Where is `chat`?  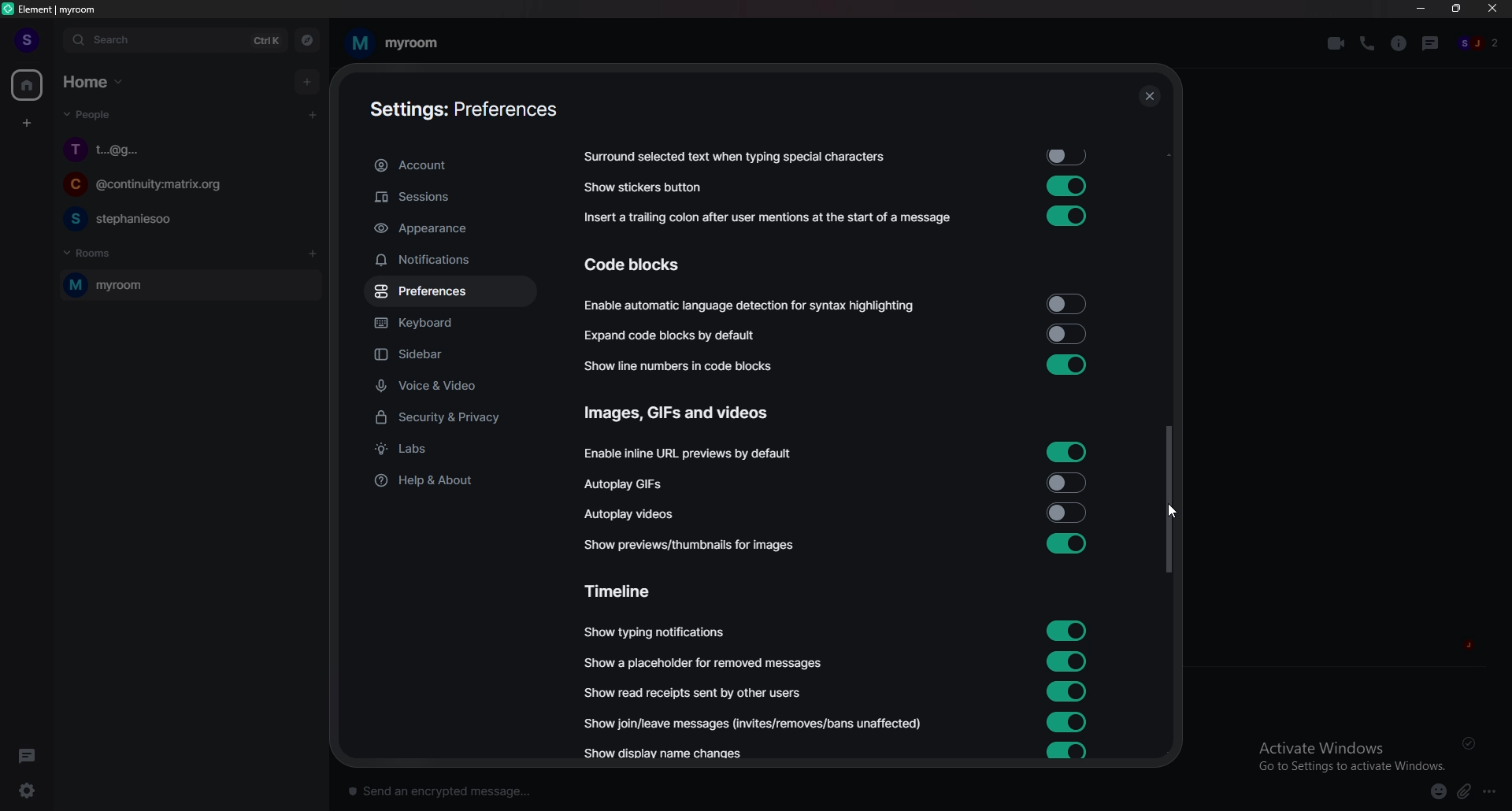 chat is located at coordinates (186, 218).